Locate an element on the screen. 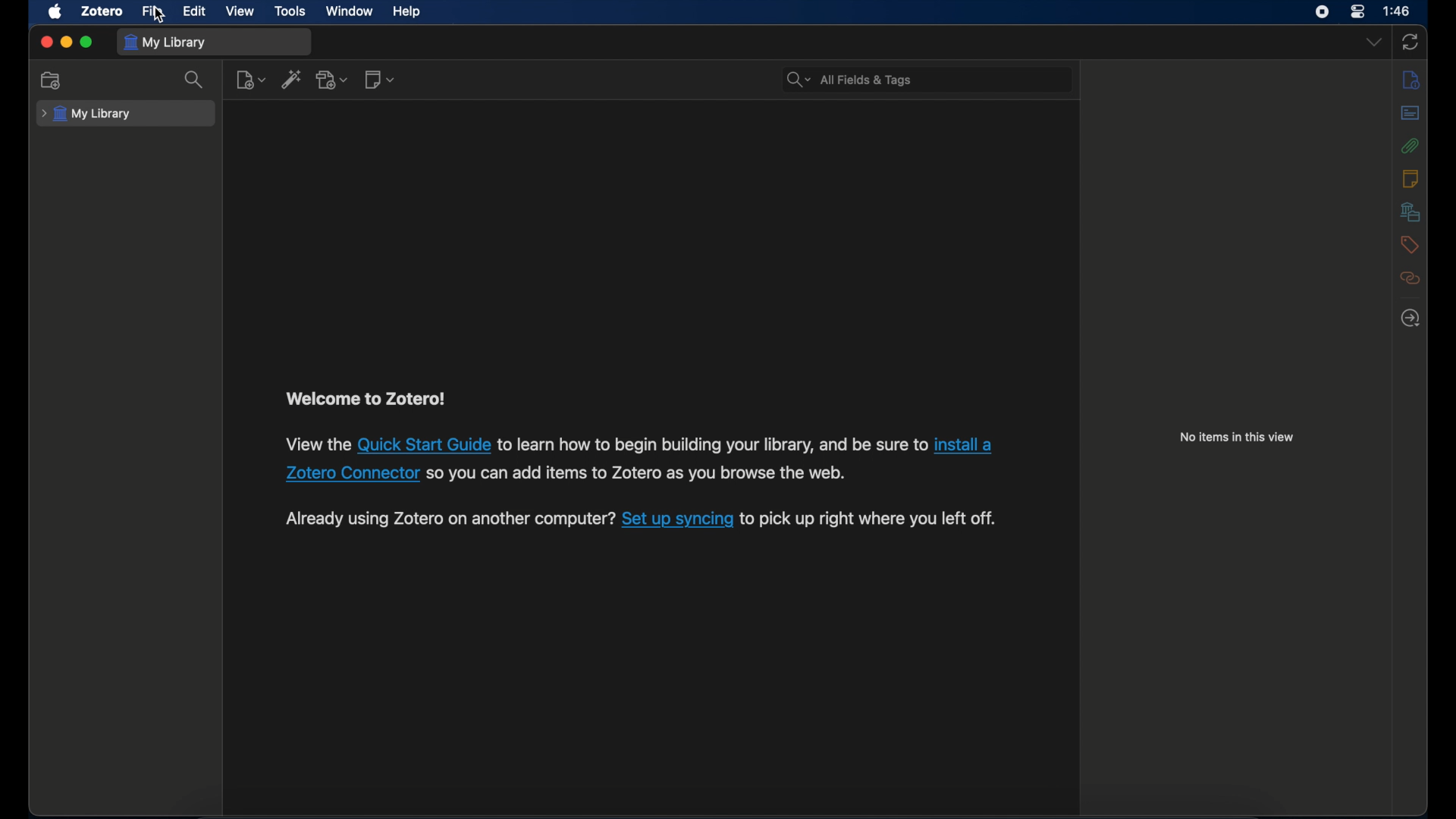  search is located at coordinates (196, 80).